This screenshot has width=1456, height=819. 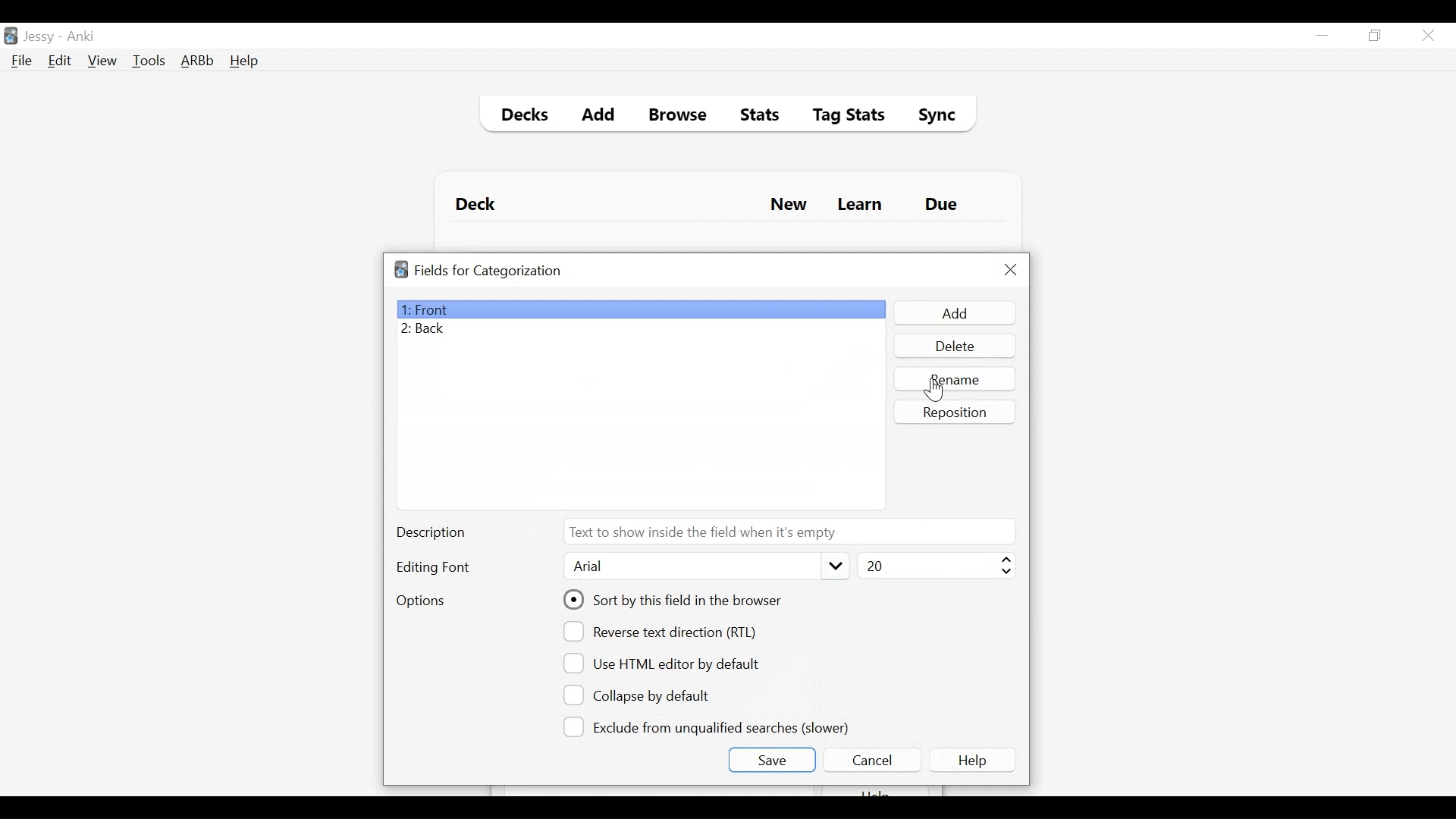 I want to click on Add, so click(x=599, y=117).